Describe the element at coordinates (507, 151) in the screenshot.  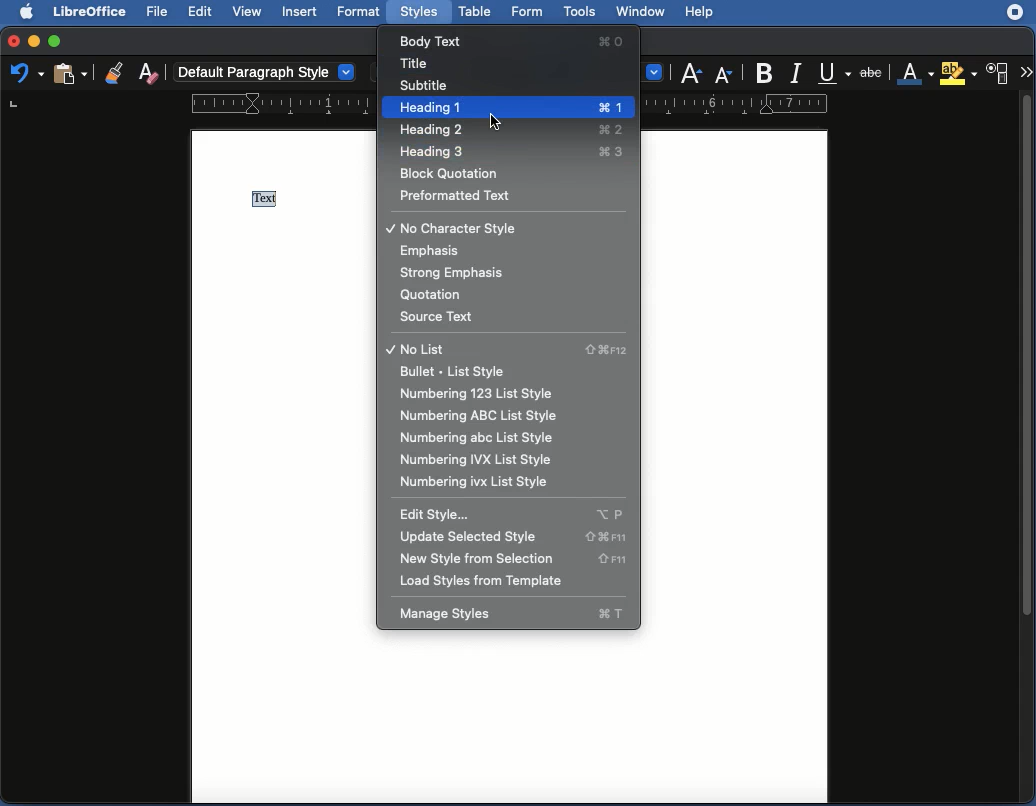
I see `heading 3` at that location.